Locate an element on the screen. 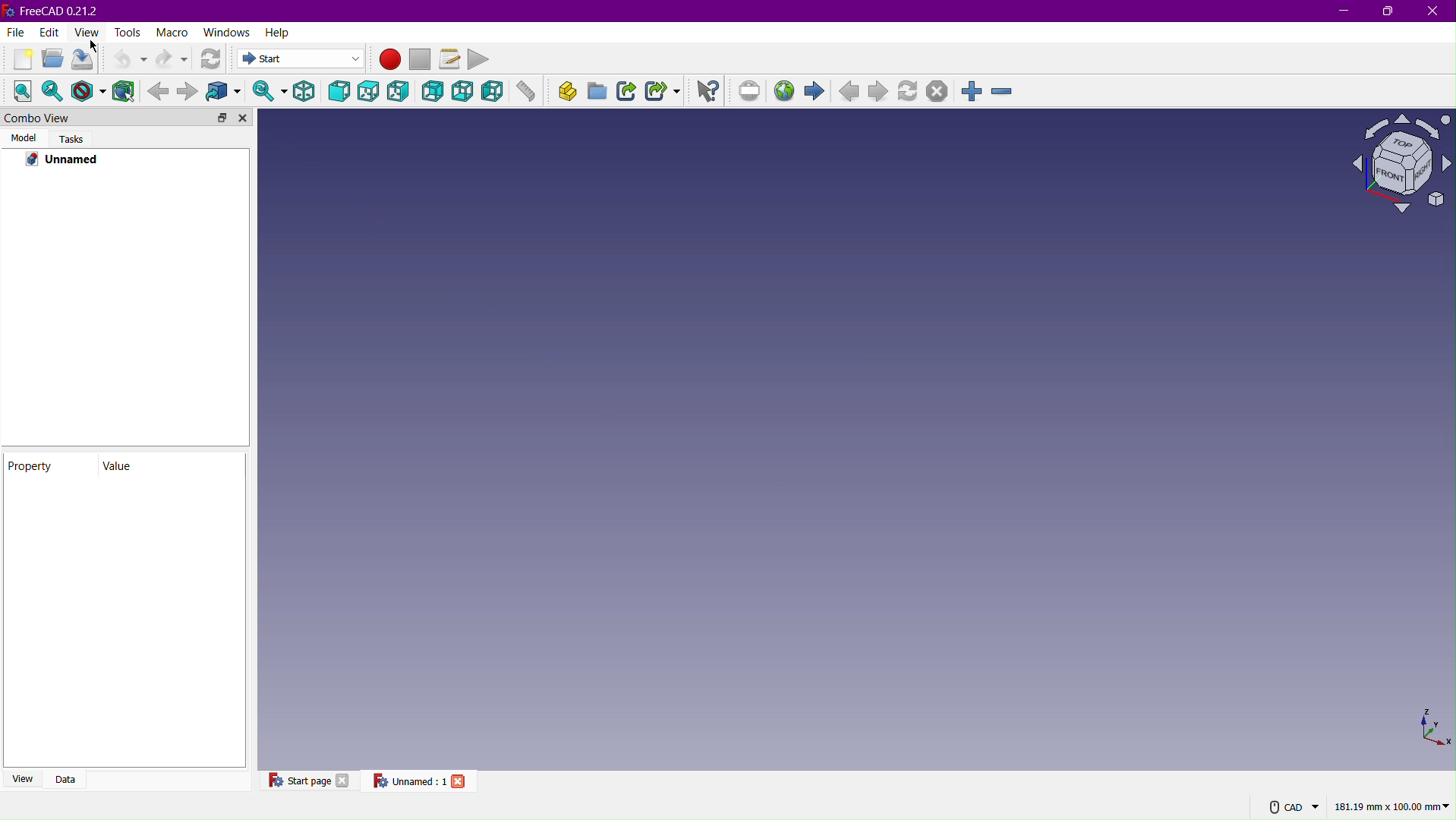 The height and width of the screenshot is (820, 1456). Data is located at coordinates (71, 776).